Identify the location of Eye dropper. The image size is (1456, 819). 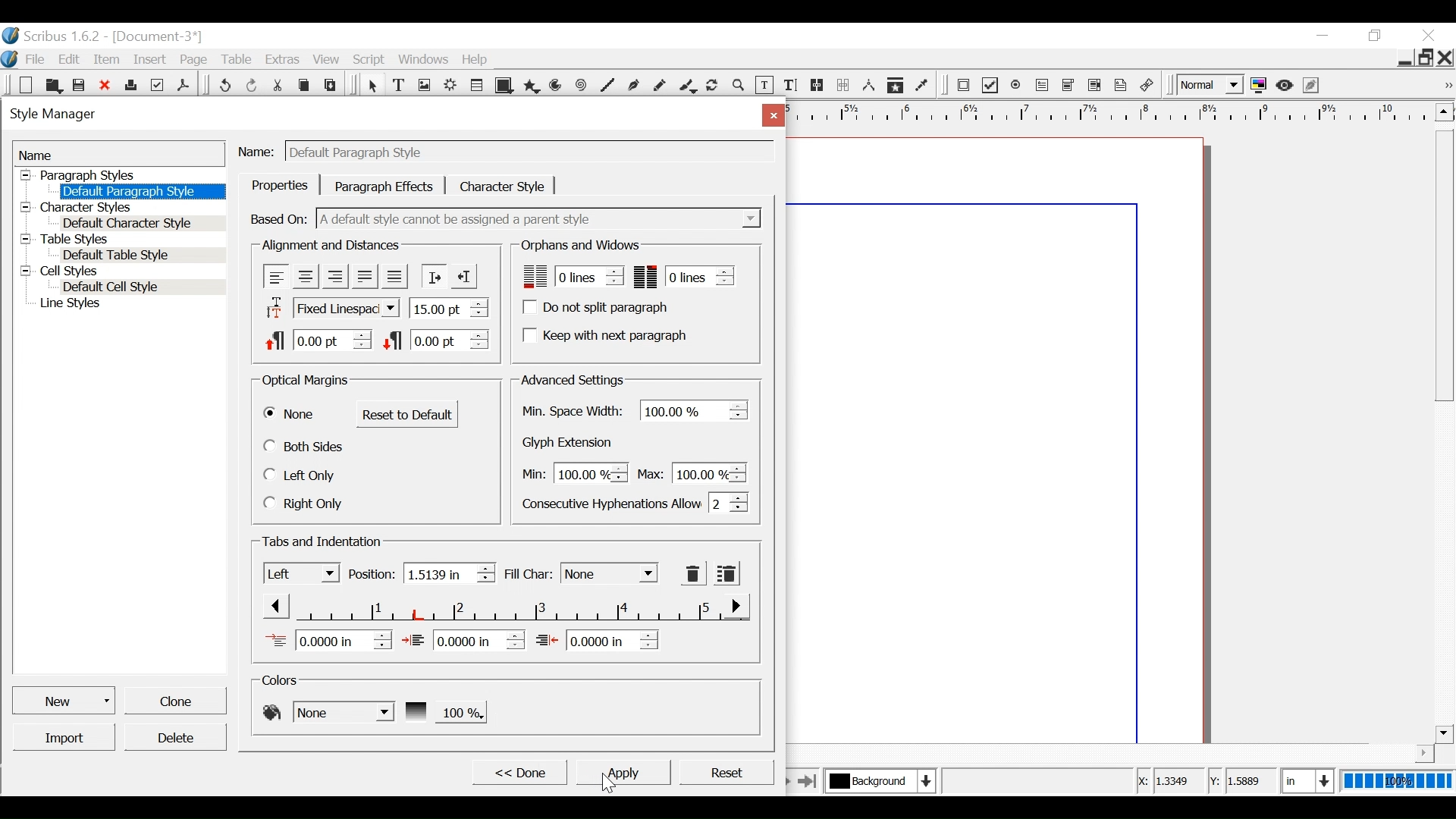
(923, 86).